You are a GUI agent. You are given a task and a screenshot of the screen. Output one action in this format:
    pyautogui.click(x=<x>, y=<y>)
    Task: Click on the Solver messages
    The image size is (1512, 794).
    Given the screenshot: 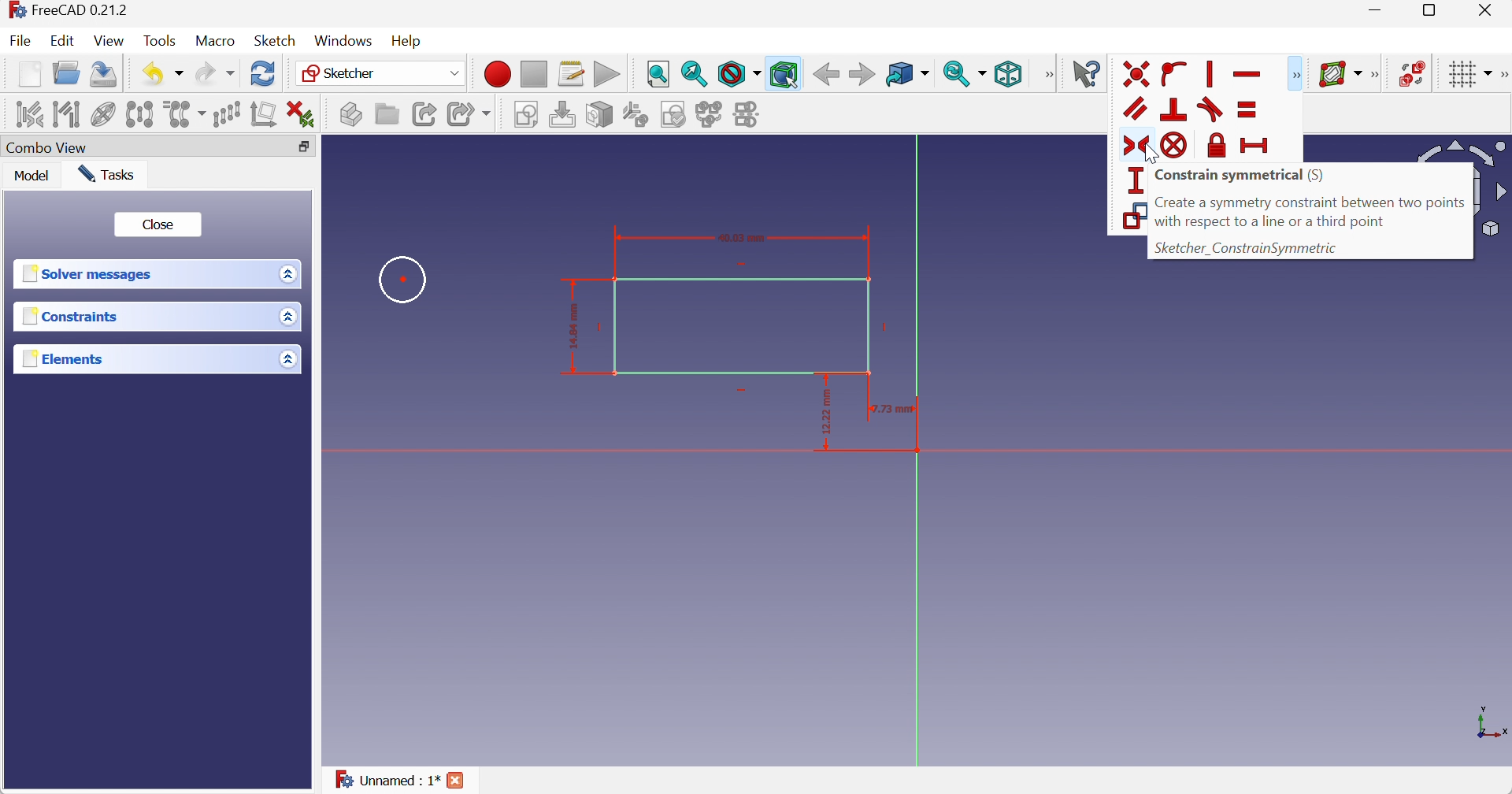 What is the action you would take?
    pyautogui.click(x=90, y=273)
    